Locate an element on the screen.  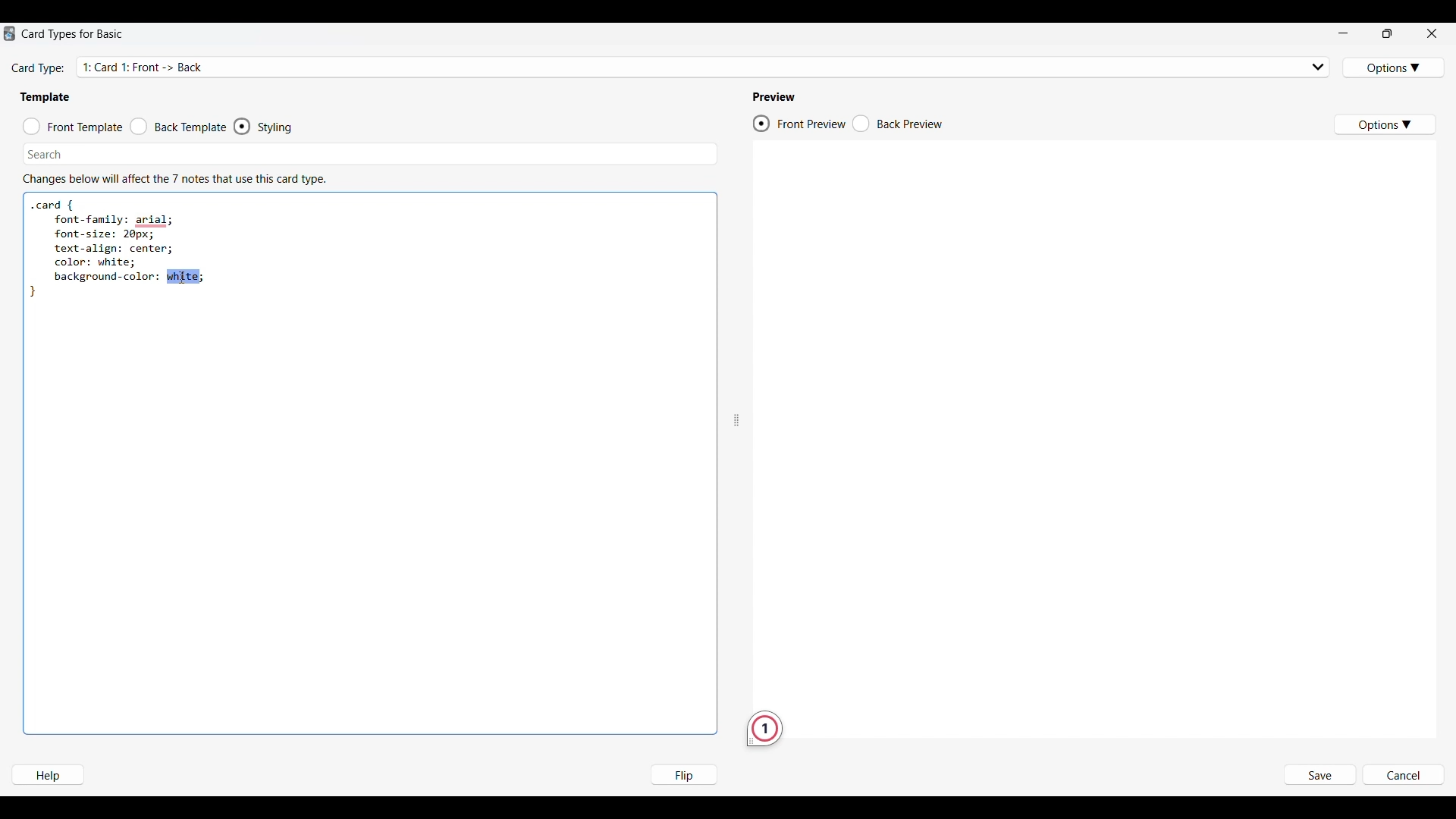
Help is located at coordinates (47, 775).